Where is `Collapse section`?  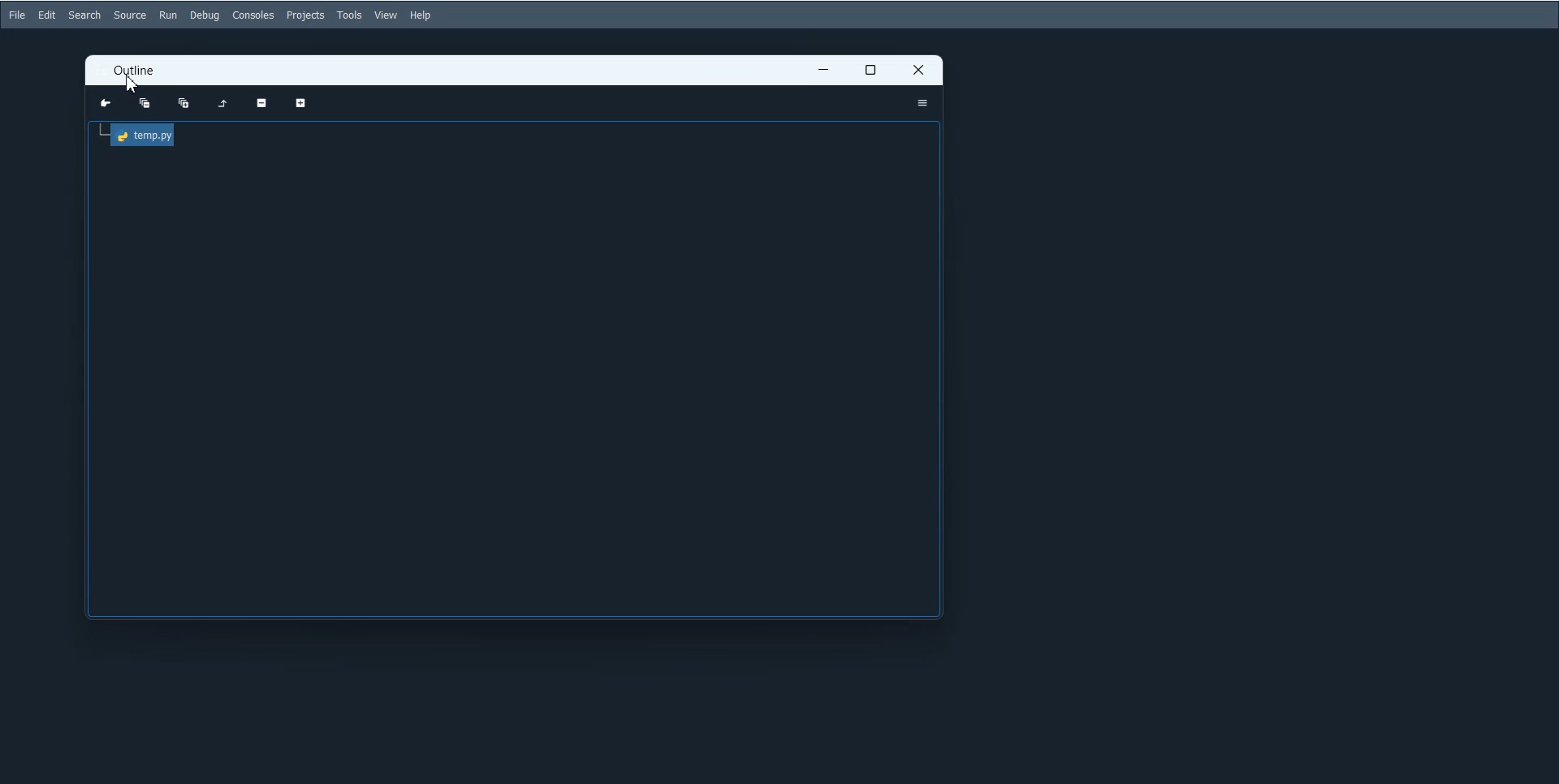
Collapse section is located at coordinates (262, 104).